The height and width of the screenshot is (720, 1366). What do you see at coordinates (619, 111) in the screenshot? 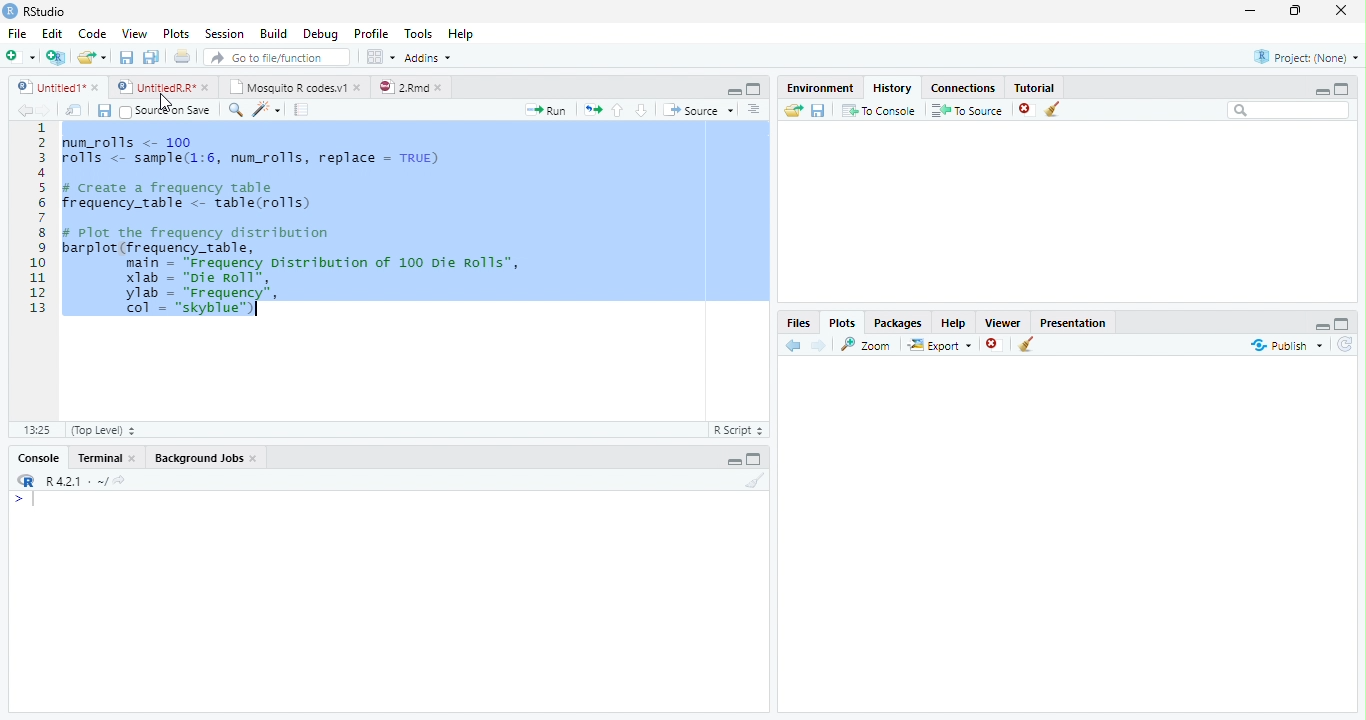
I see `Go to previous section of code` at bounding box center [619, 111].